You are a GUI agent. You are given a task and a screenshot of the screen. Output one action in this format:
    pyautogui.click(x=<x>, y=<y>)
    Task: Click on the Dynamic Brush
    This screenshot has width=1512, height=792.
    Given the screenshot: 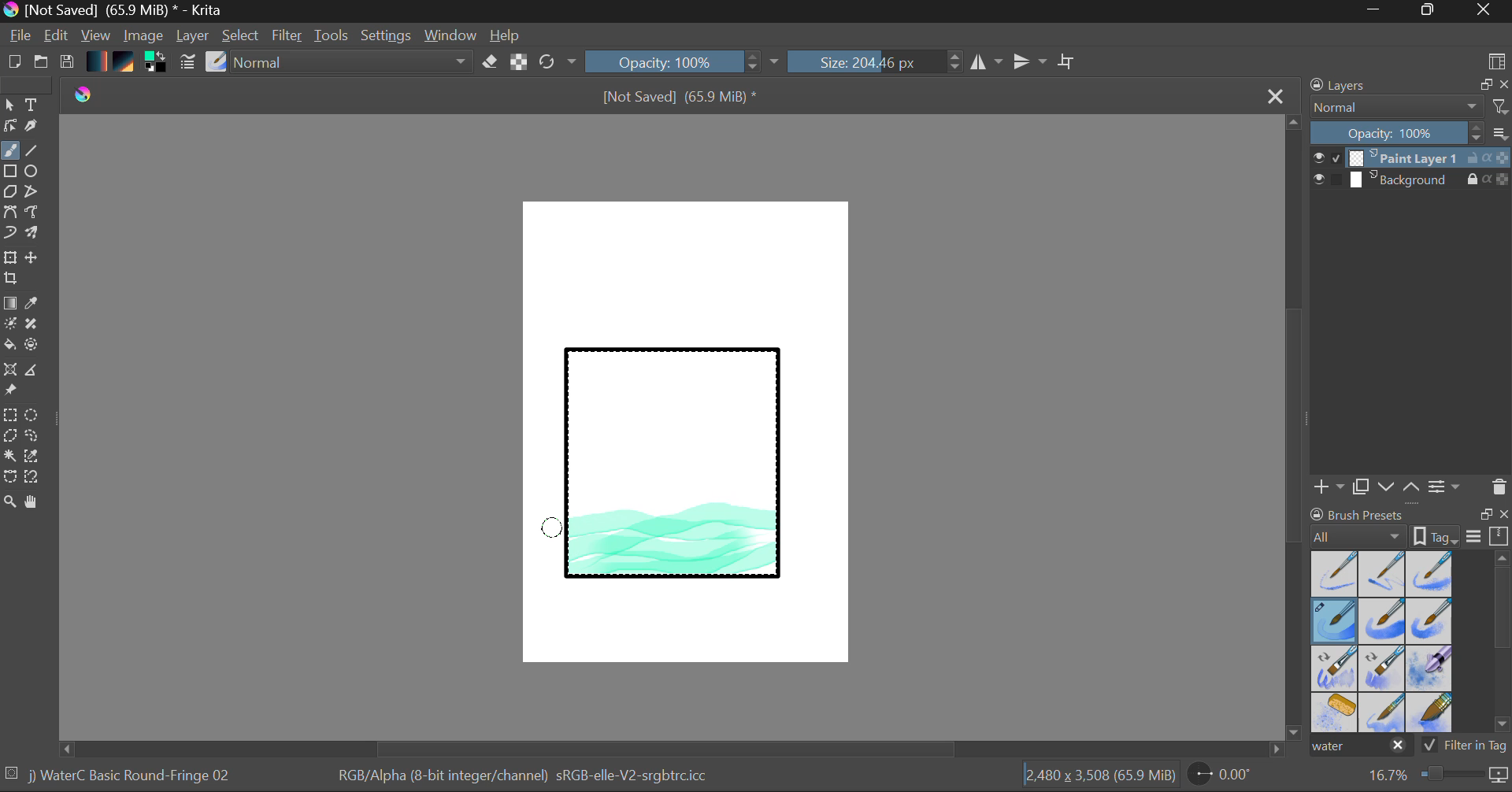 What is the action you would take?
    pyautogui.click(x=9, y=233)
    